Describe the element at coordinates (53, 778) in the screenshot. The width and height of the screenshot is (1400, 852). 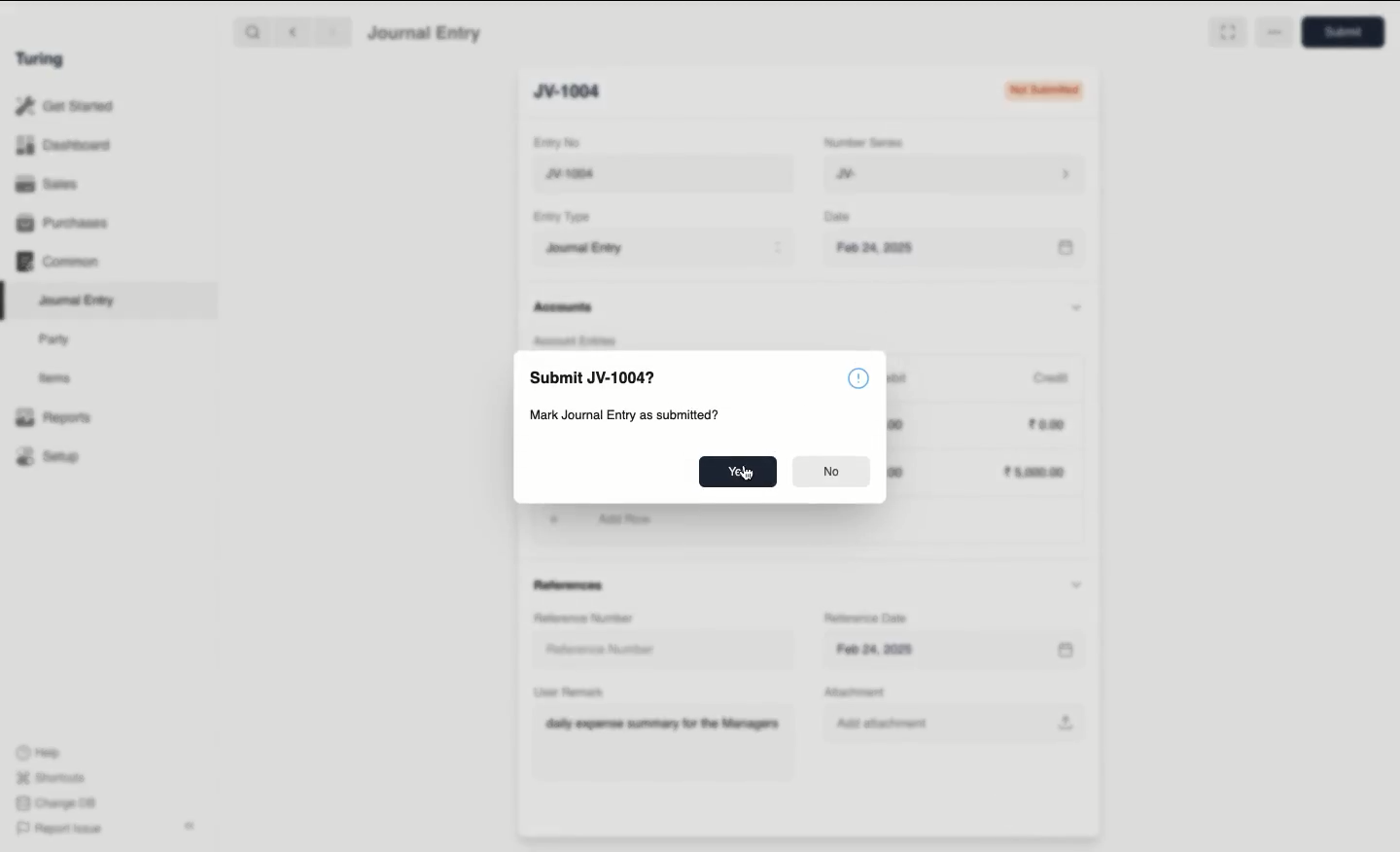
I see `Shortcuts` at that location.